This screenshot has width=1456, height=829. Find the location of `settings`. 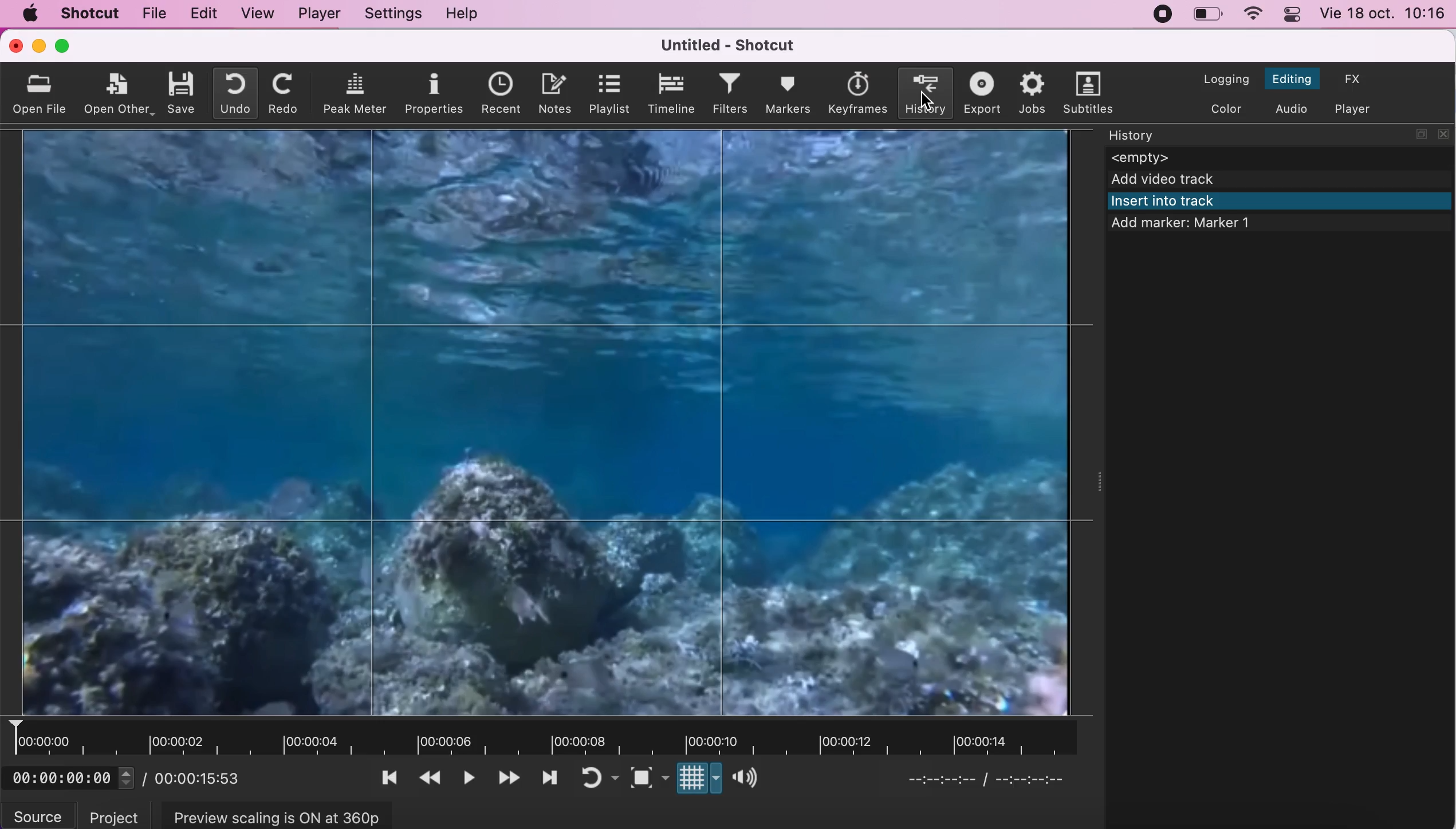

settings is located at coordinates (394, 14).